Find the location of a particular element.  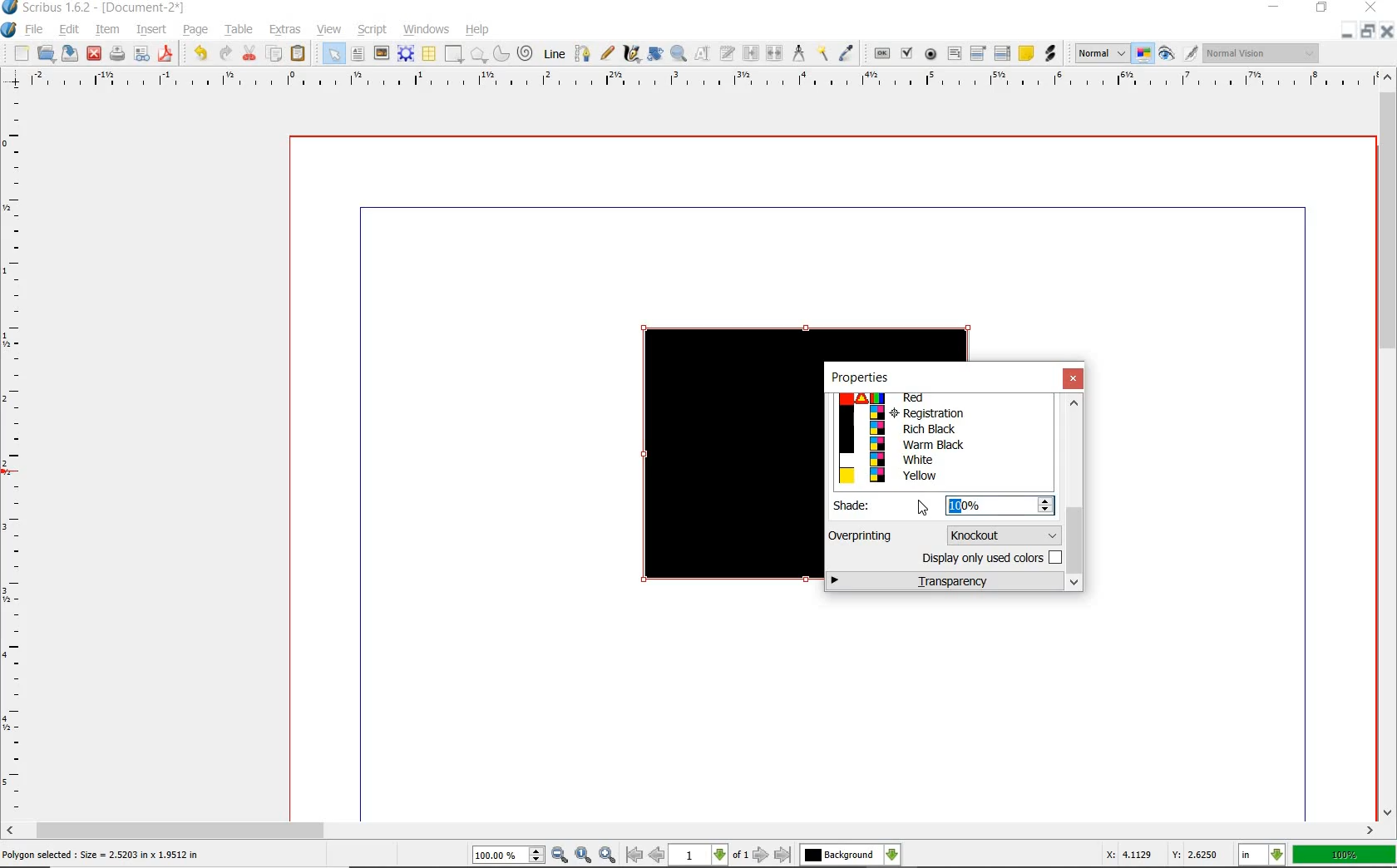

Overprinting is located at coordinates (862, 535).